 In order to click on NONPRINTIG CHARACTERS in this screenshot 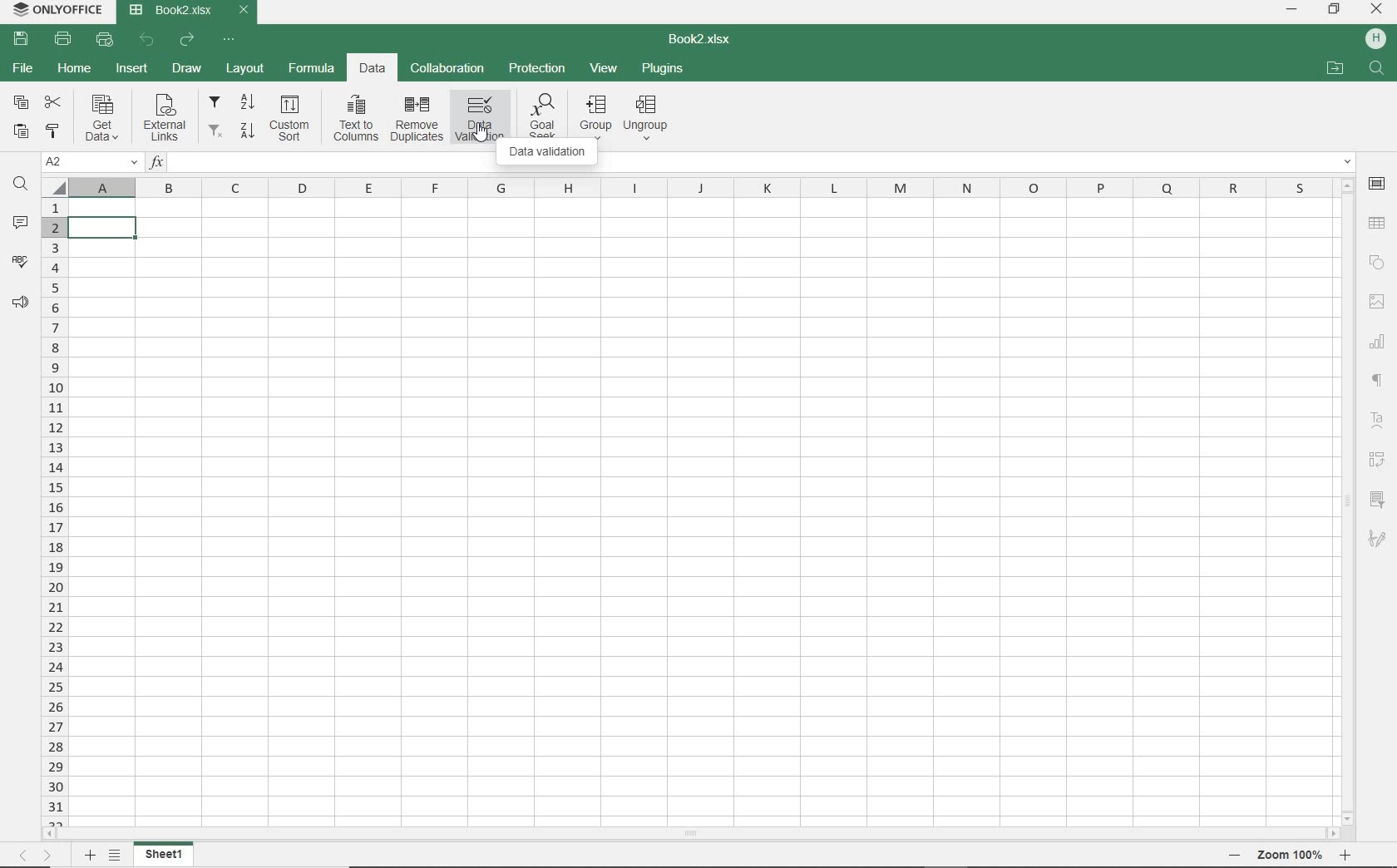, I will do `click(1379, 382)`.